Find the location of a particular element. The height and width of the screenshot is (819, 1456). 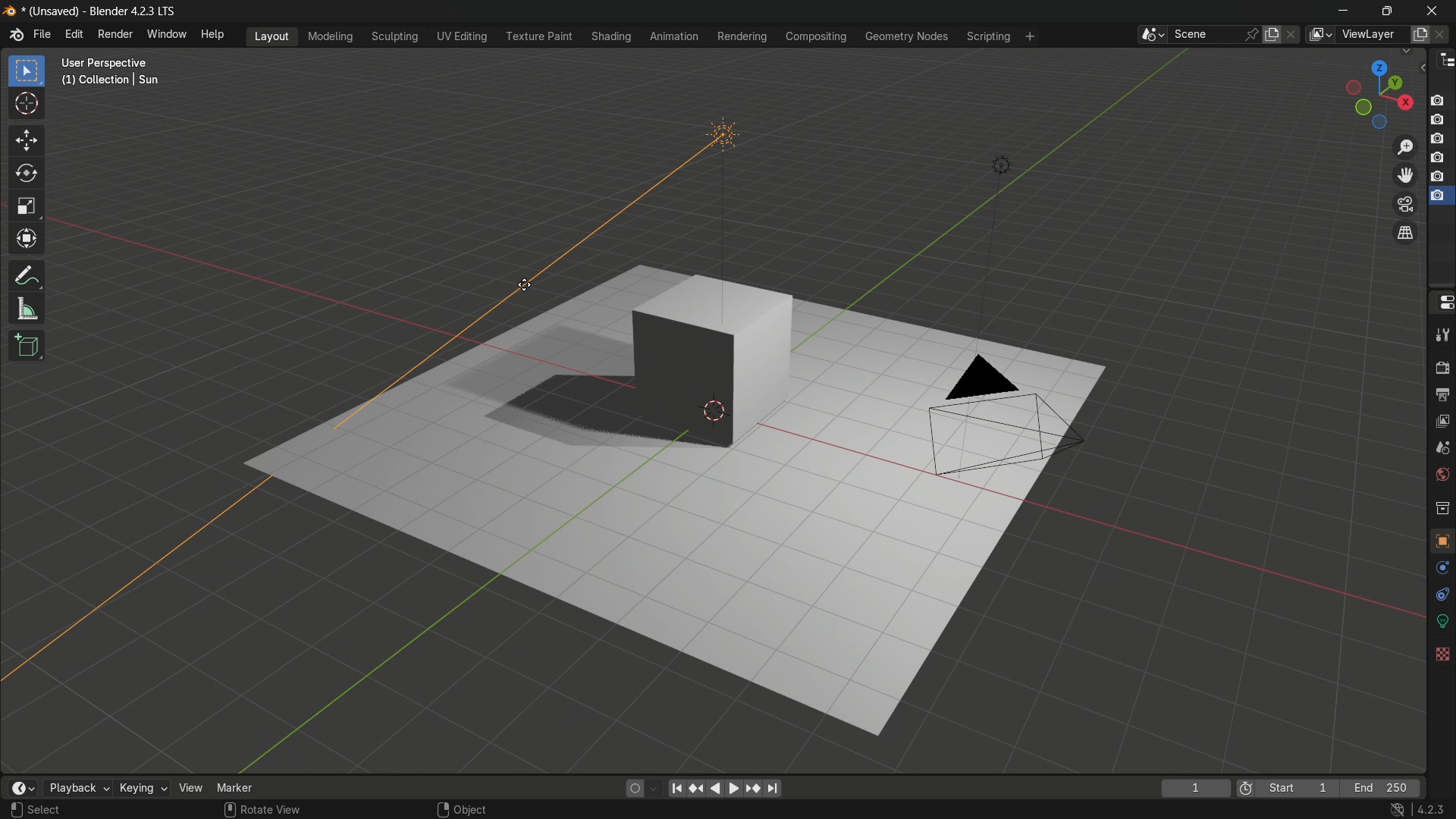

properties is located at coordinates (1442, 306).